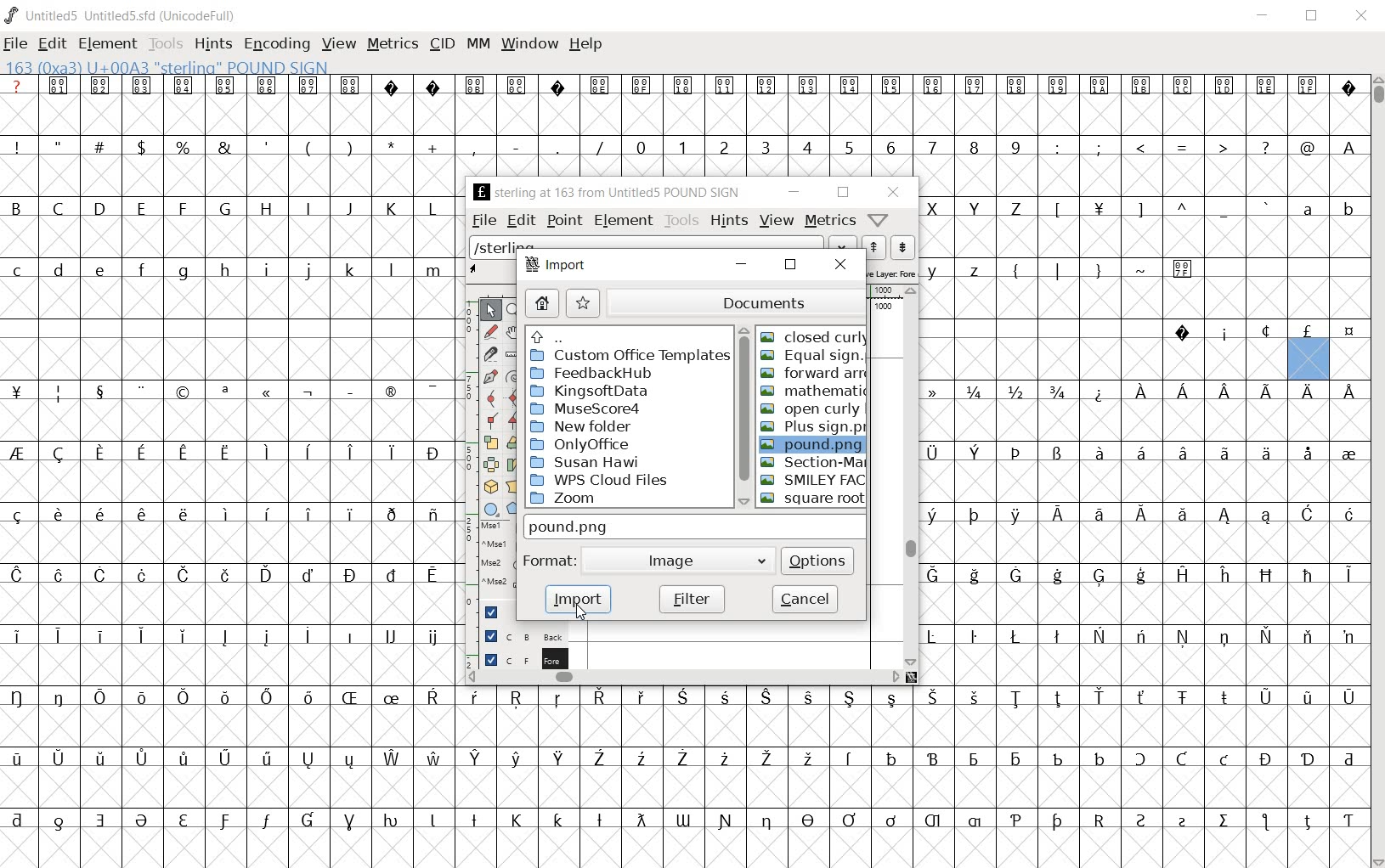 This screenshot has height=868, width=1385. What do you see at coordinates (349, 698) in the screenshot?
I see `Symbol` at bounding box center [349, 698].